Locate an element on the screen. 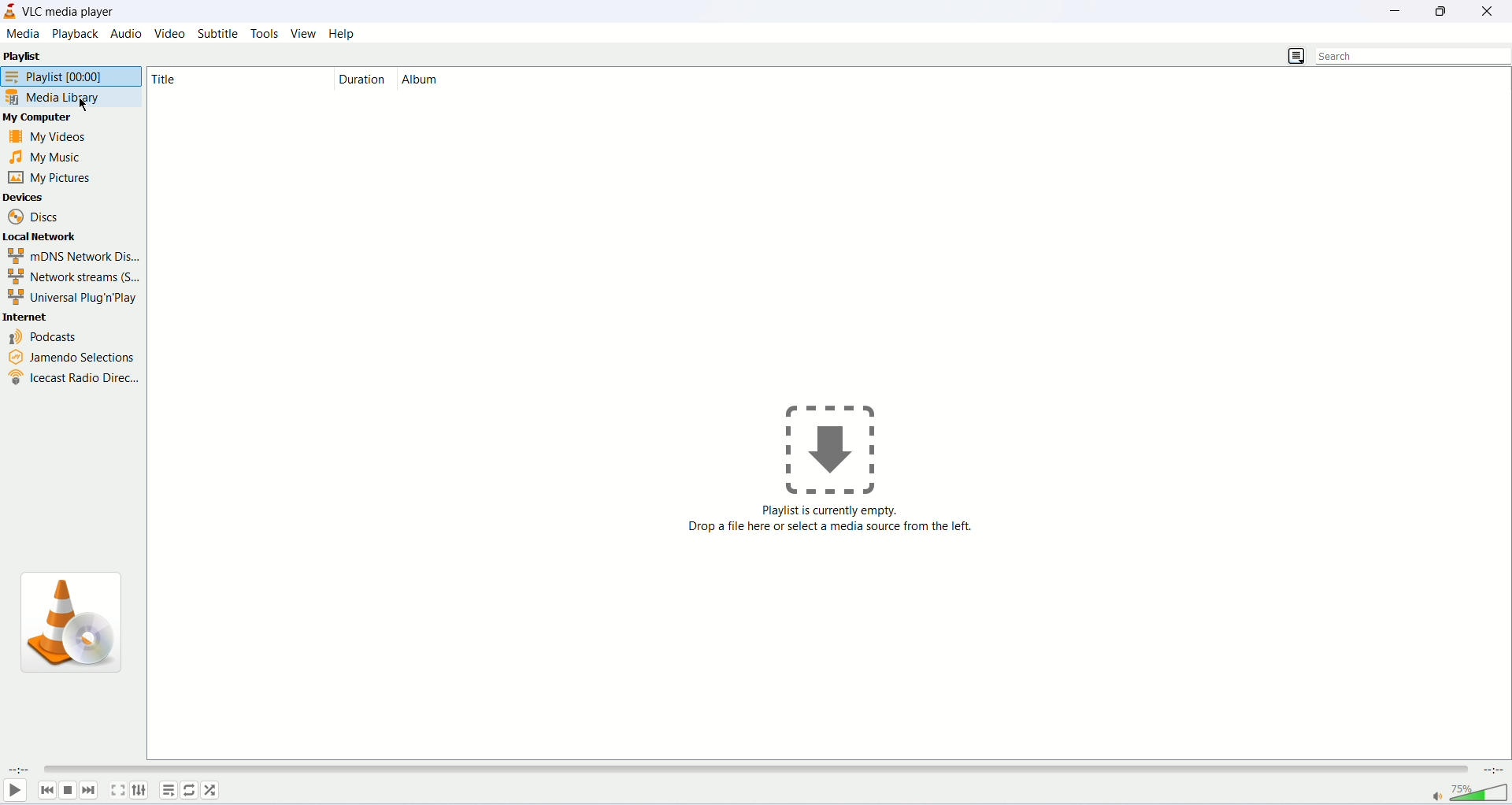 This screenshot has width=1512, height=805. playback is located at coordinates (77, 32).